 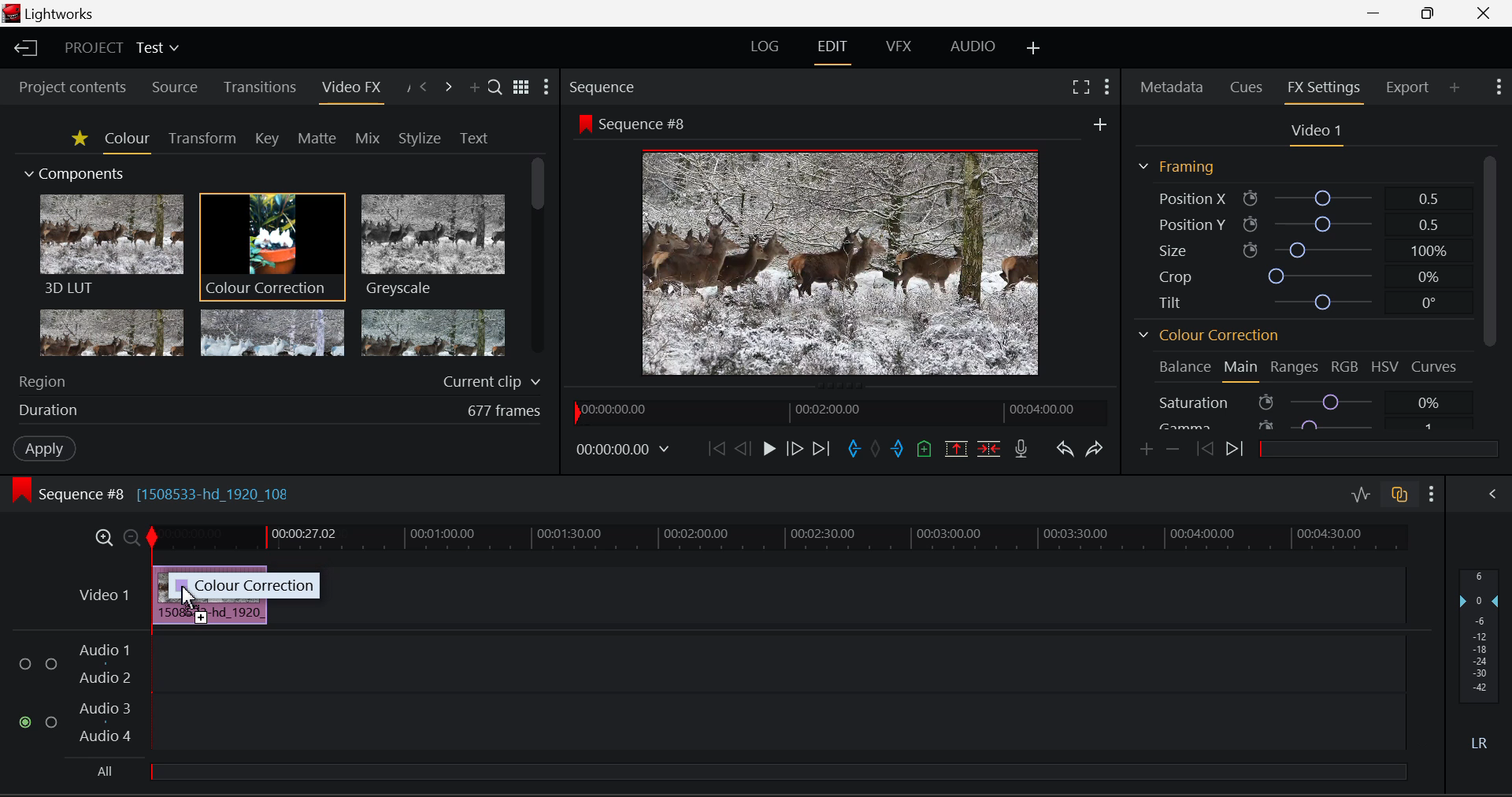 What do you see at coordinates (898, 449) in the screenshot?
I see `Mark Out` at bounding box center [898, 449].